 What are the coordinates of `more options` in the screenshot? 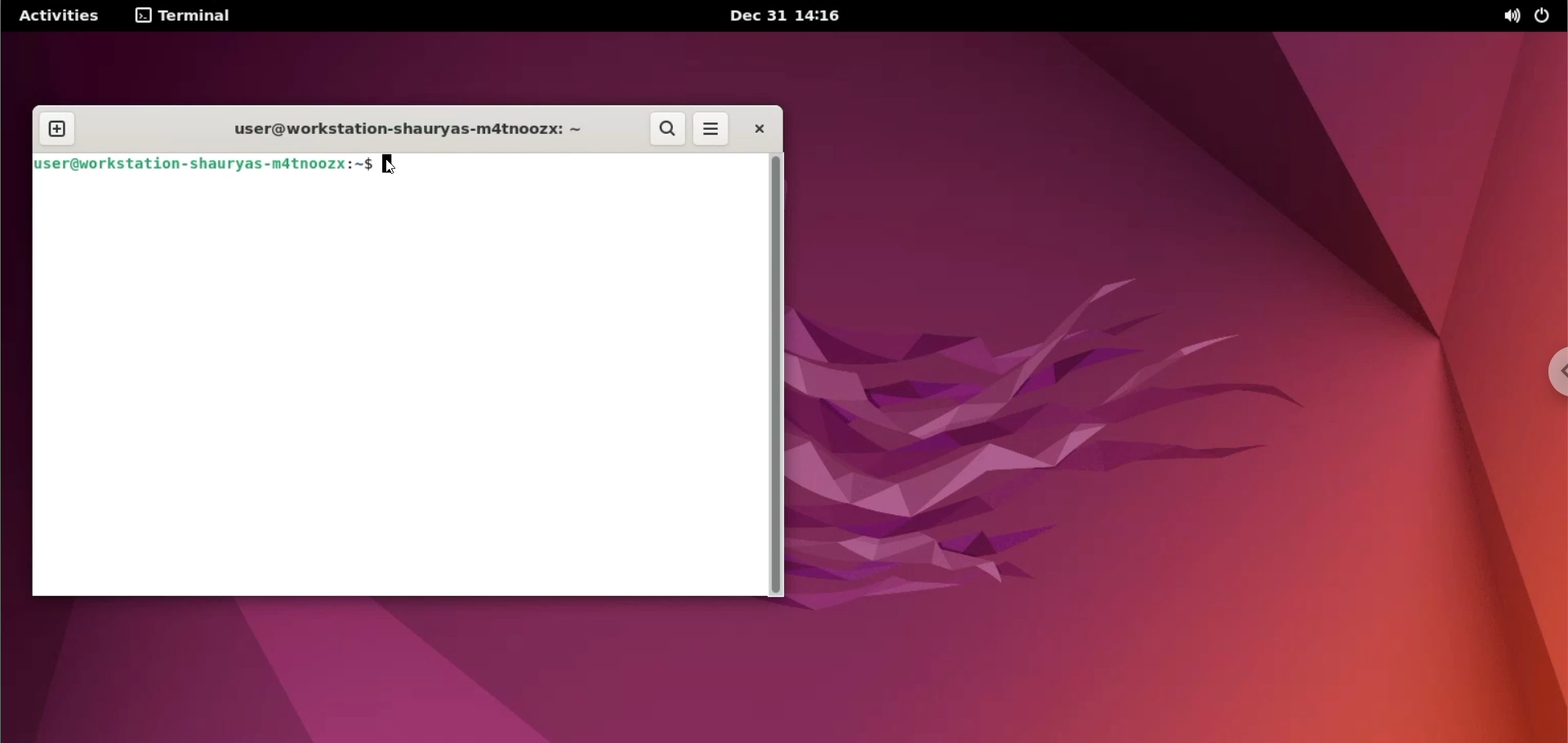 It's located at (711, 130).